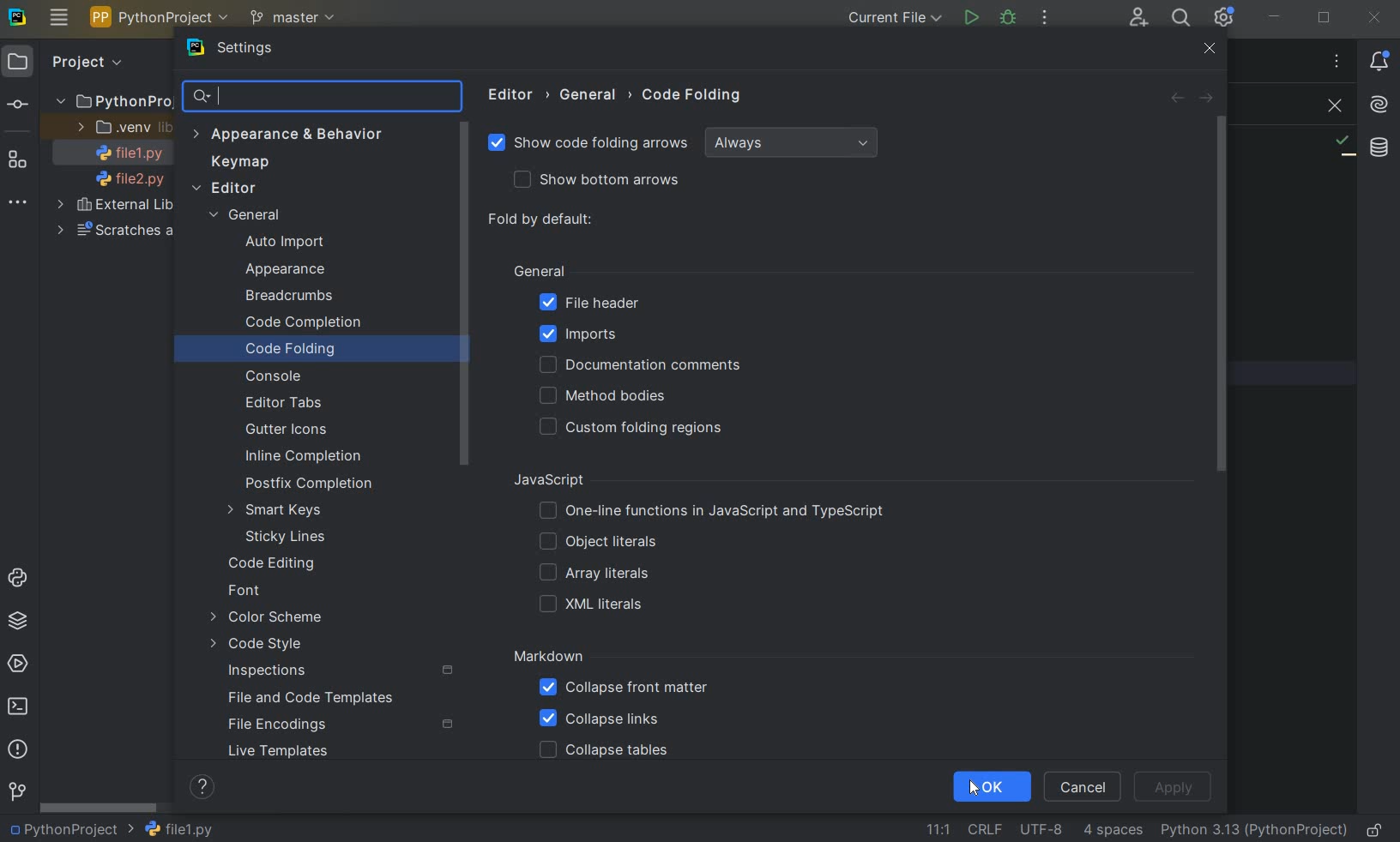 Image resolution: width=1400 pixels, height=842 pixels. What do you see at coordinates (606, 396) in the screenshot?
I see `METHOD BODIES` at bounding box center [606, 396].